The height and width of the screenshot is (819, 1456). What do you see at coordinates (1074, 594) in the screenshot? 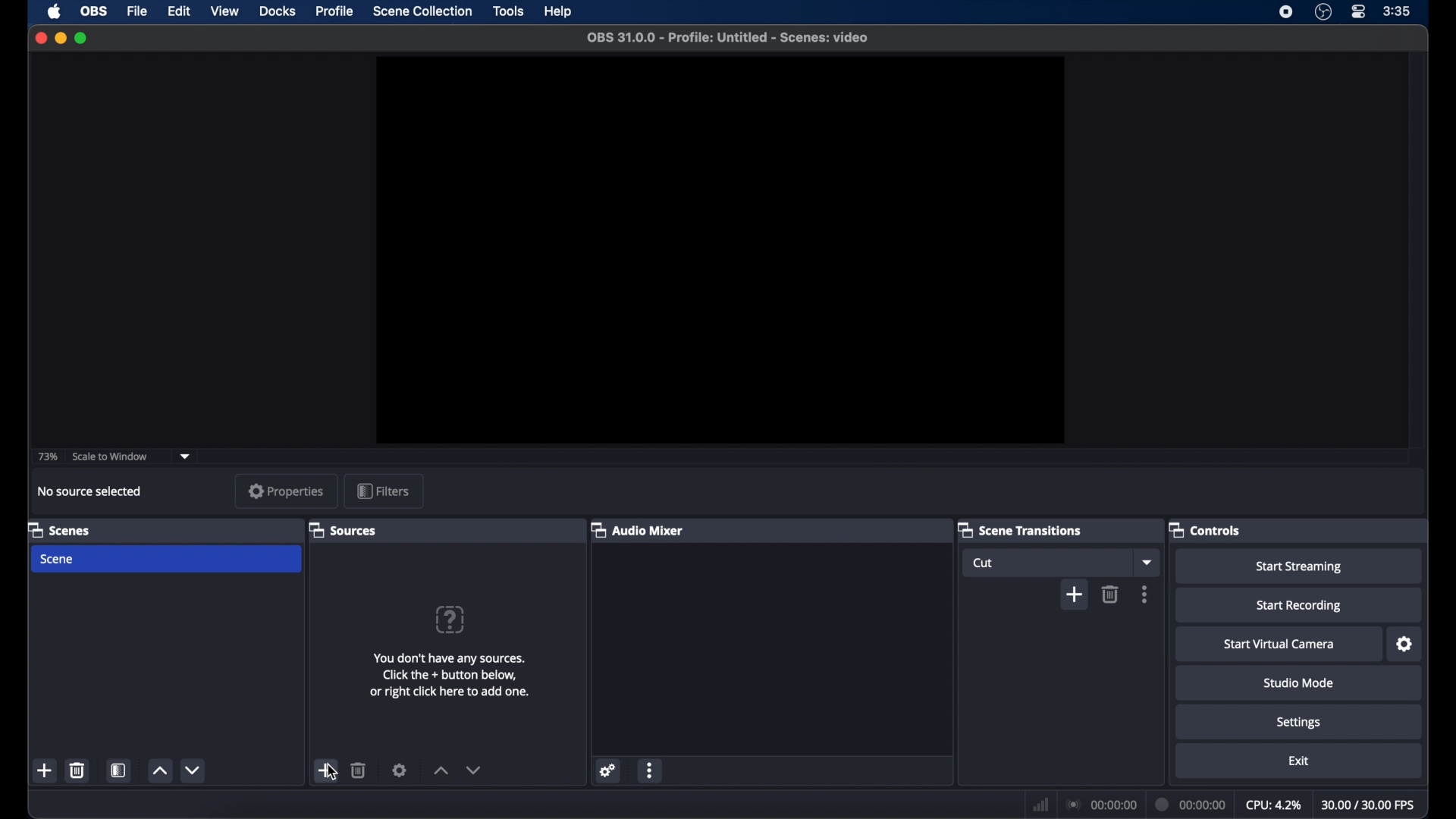
I see `add` at bounding box center [1074, 594].